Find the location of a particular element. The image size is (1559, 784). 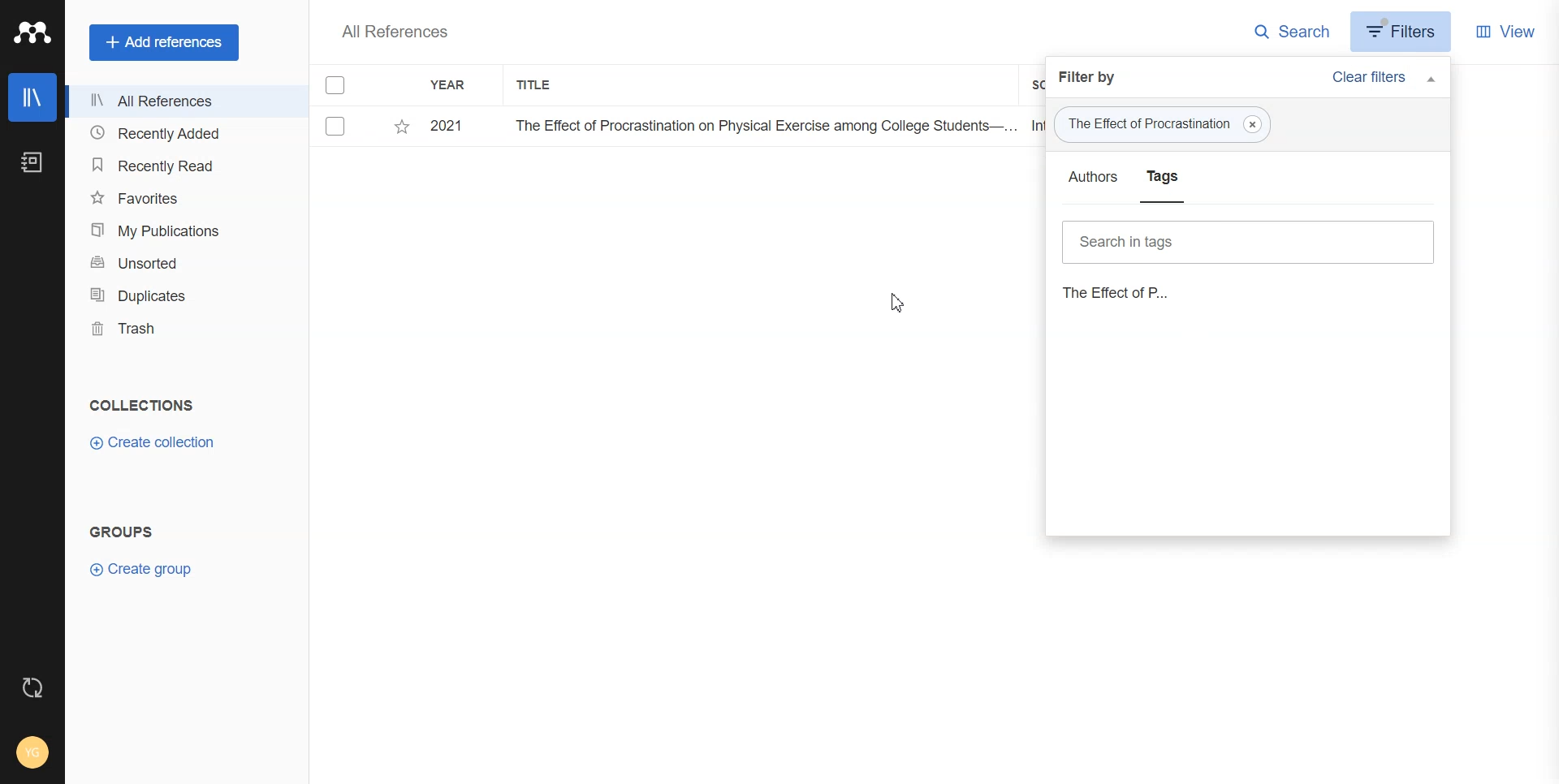

Filters is located at coordinates (1401, 35).